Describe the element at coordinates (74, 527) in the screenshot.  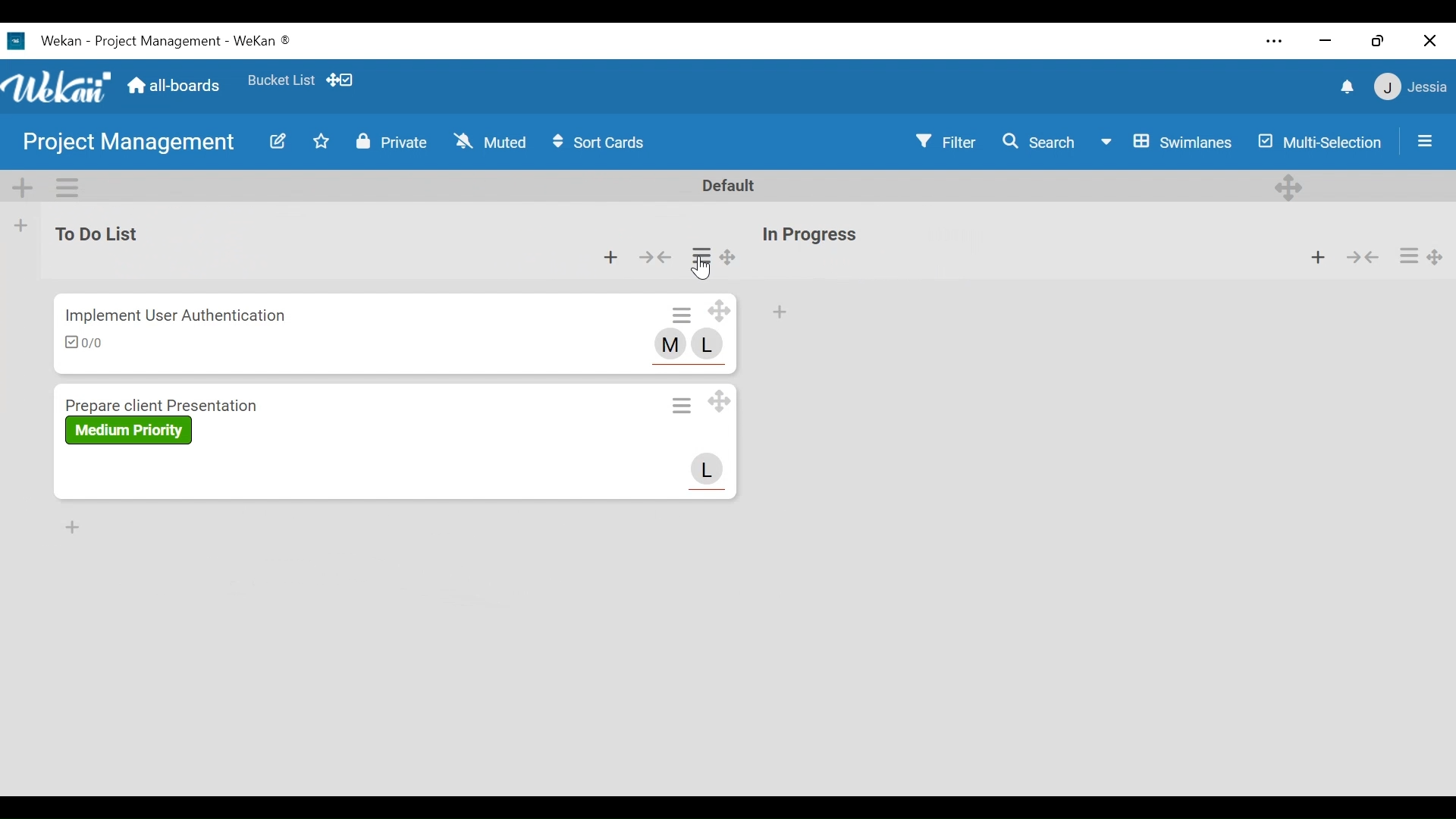
I see `Add card to bottom of the list` at that location.